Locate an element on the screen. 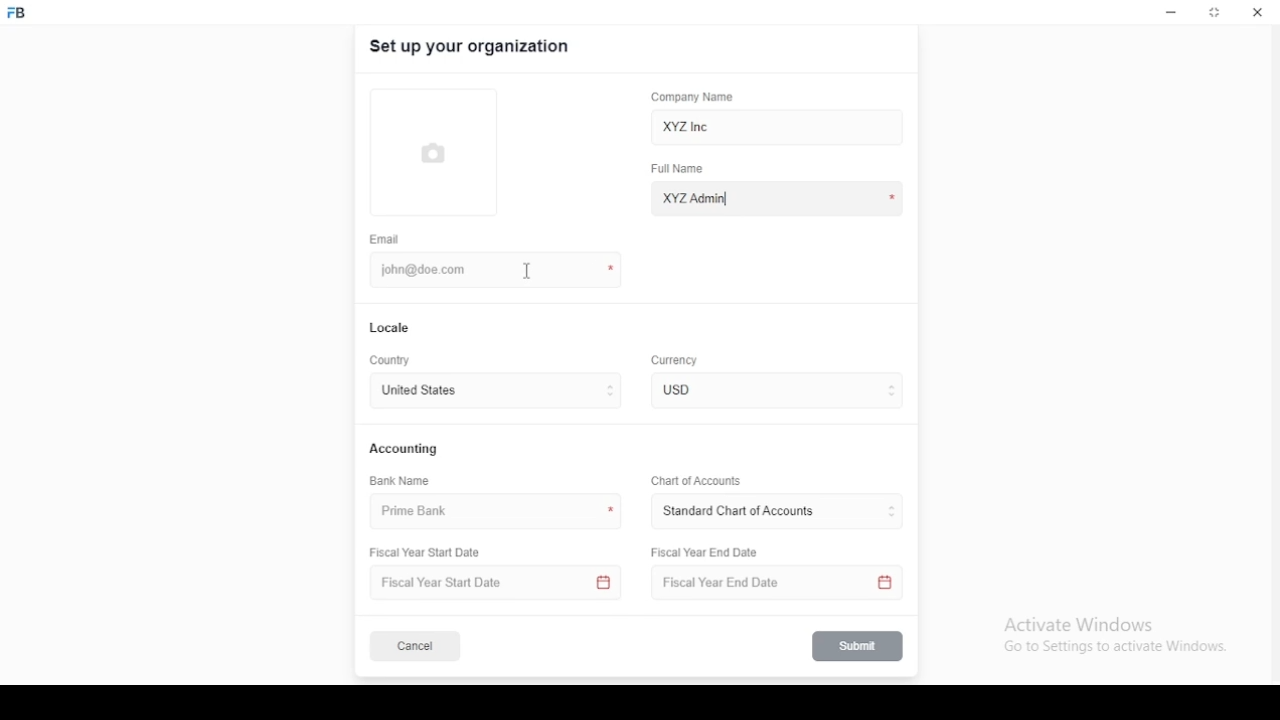  submit is located at coordinates (859, 646).